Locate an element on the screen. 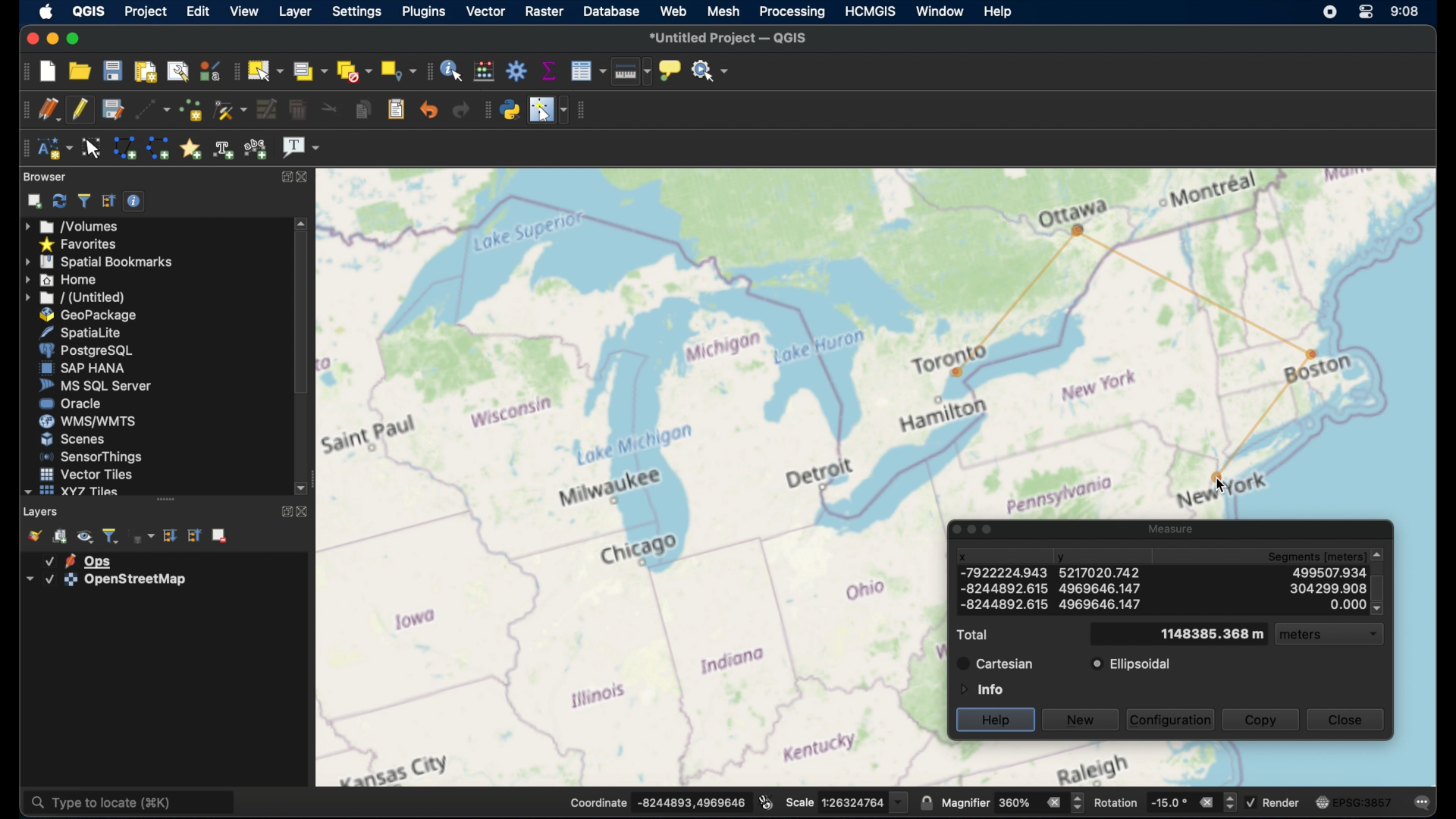 The image size is (1456, 819). segments is located at coordinates (1328, 587).